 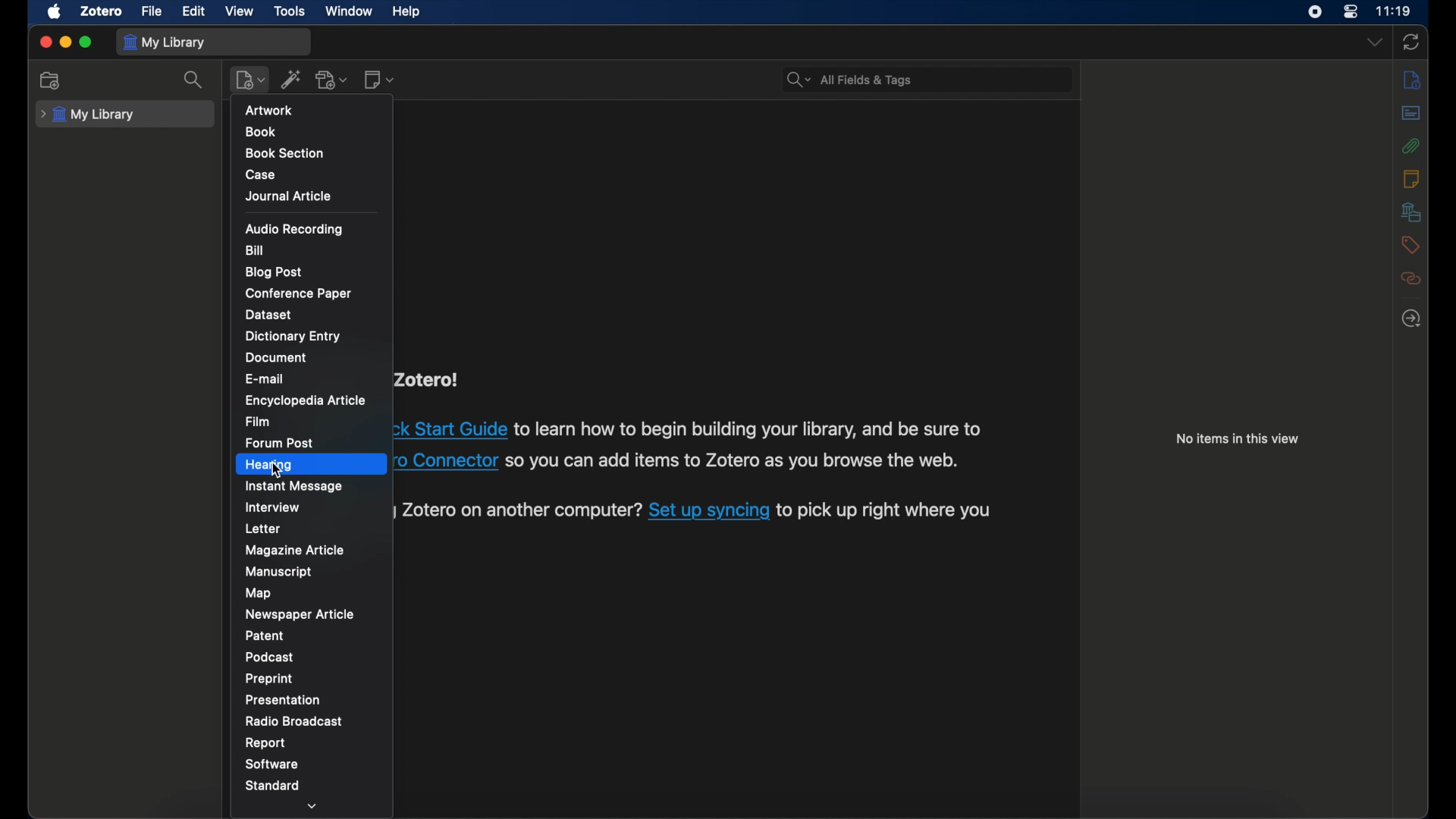 What do you see at coordinates (1411, 318) in the screenshot?
I see `locate` at bounding box center [1411, 318].